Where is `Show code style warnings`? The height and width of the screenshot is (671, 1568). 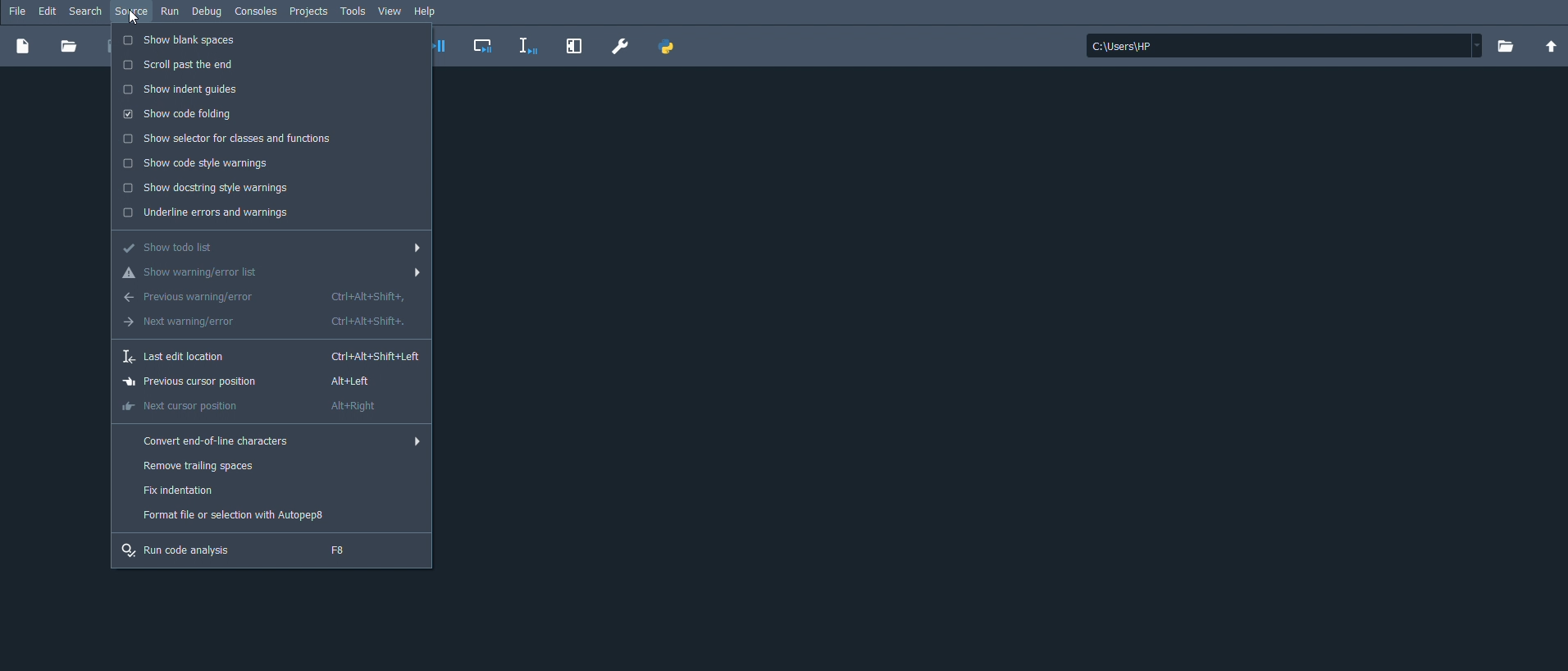 Show code style warnings is located at coordinates (198, 164).